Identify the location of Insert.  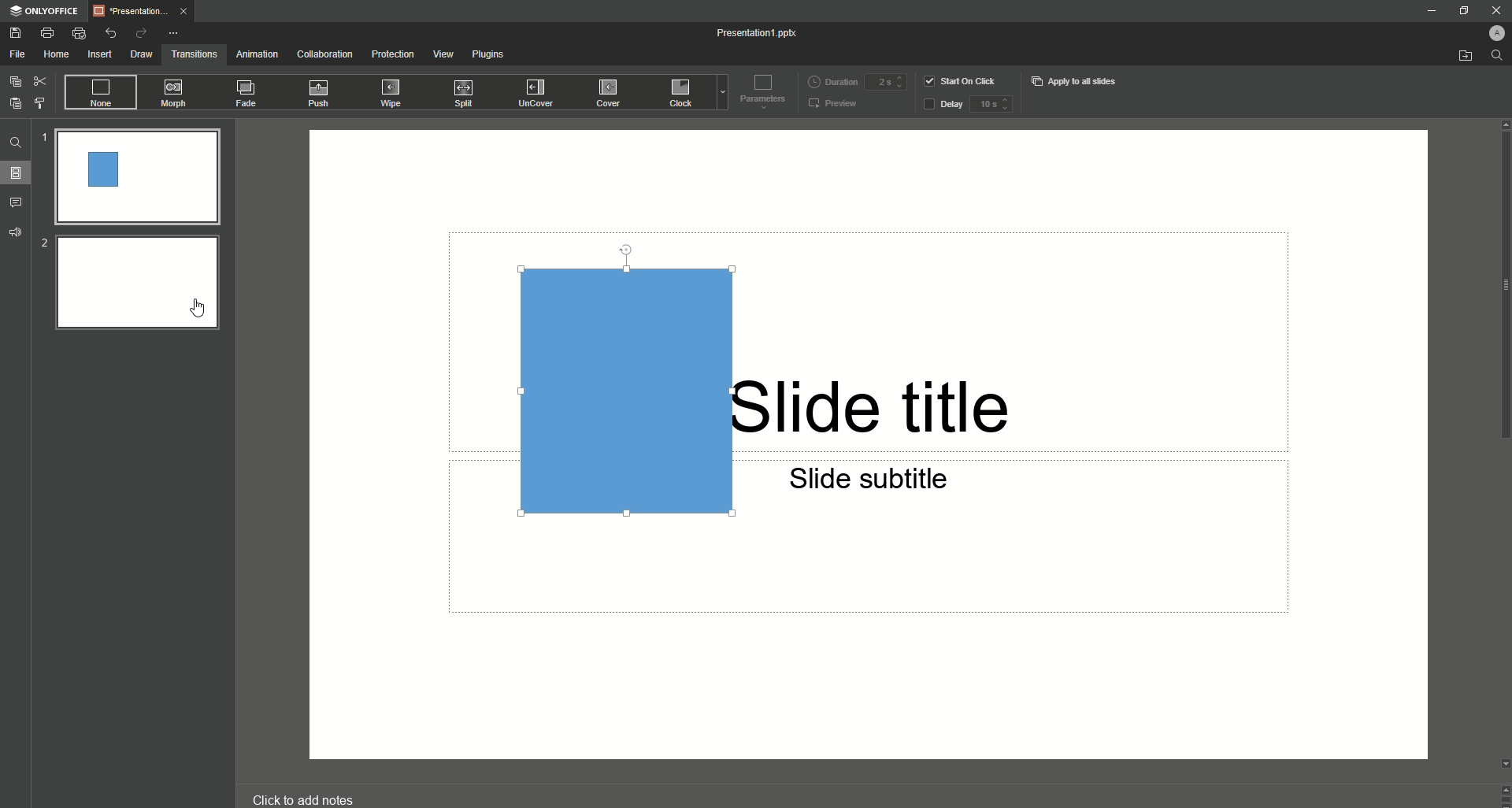
(98, 54).